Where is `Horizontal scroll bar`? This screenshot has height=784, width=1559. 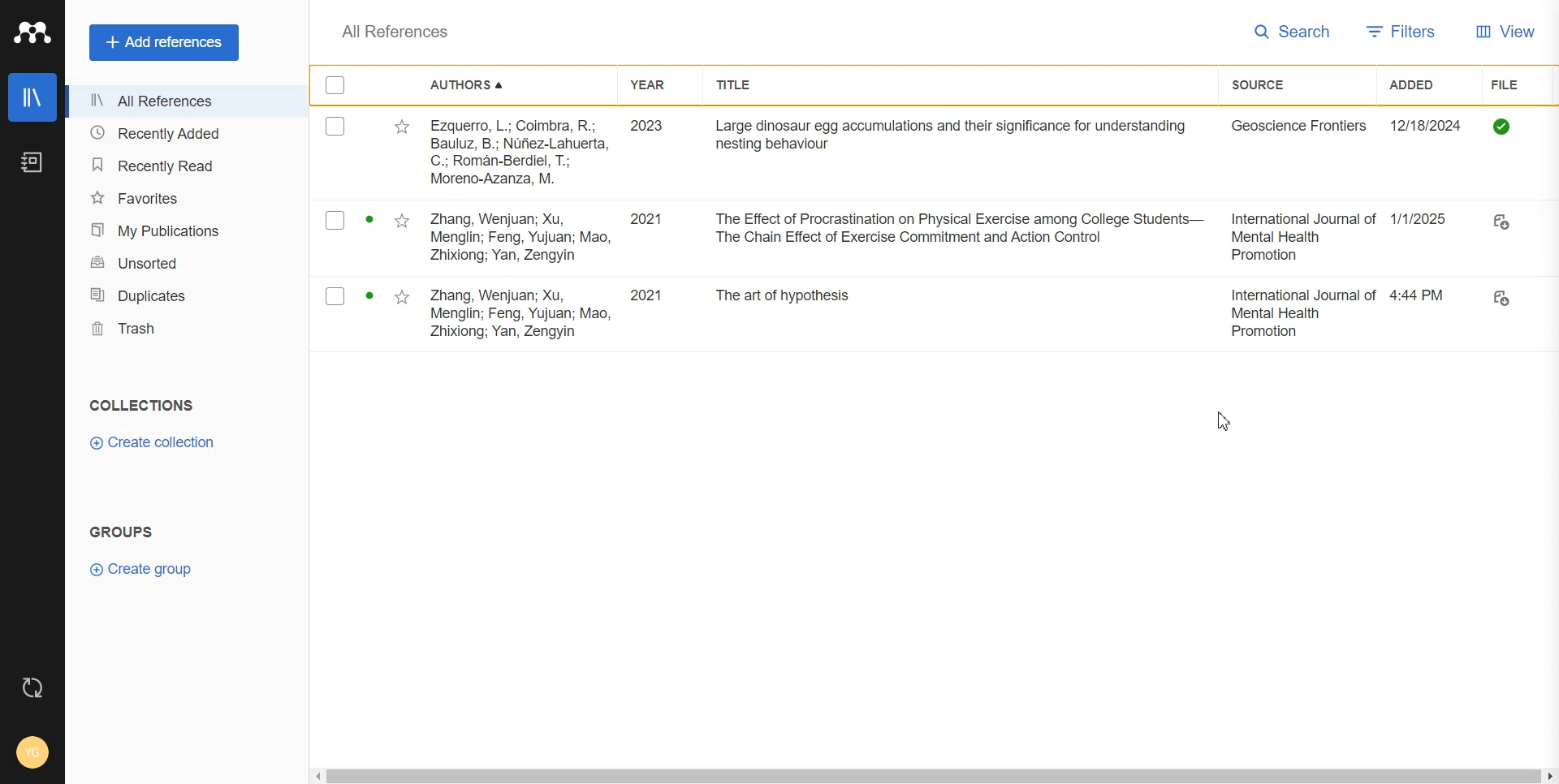 Horizontal scroll bar is located at coordinates (931, 771).